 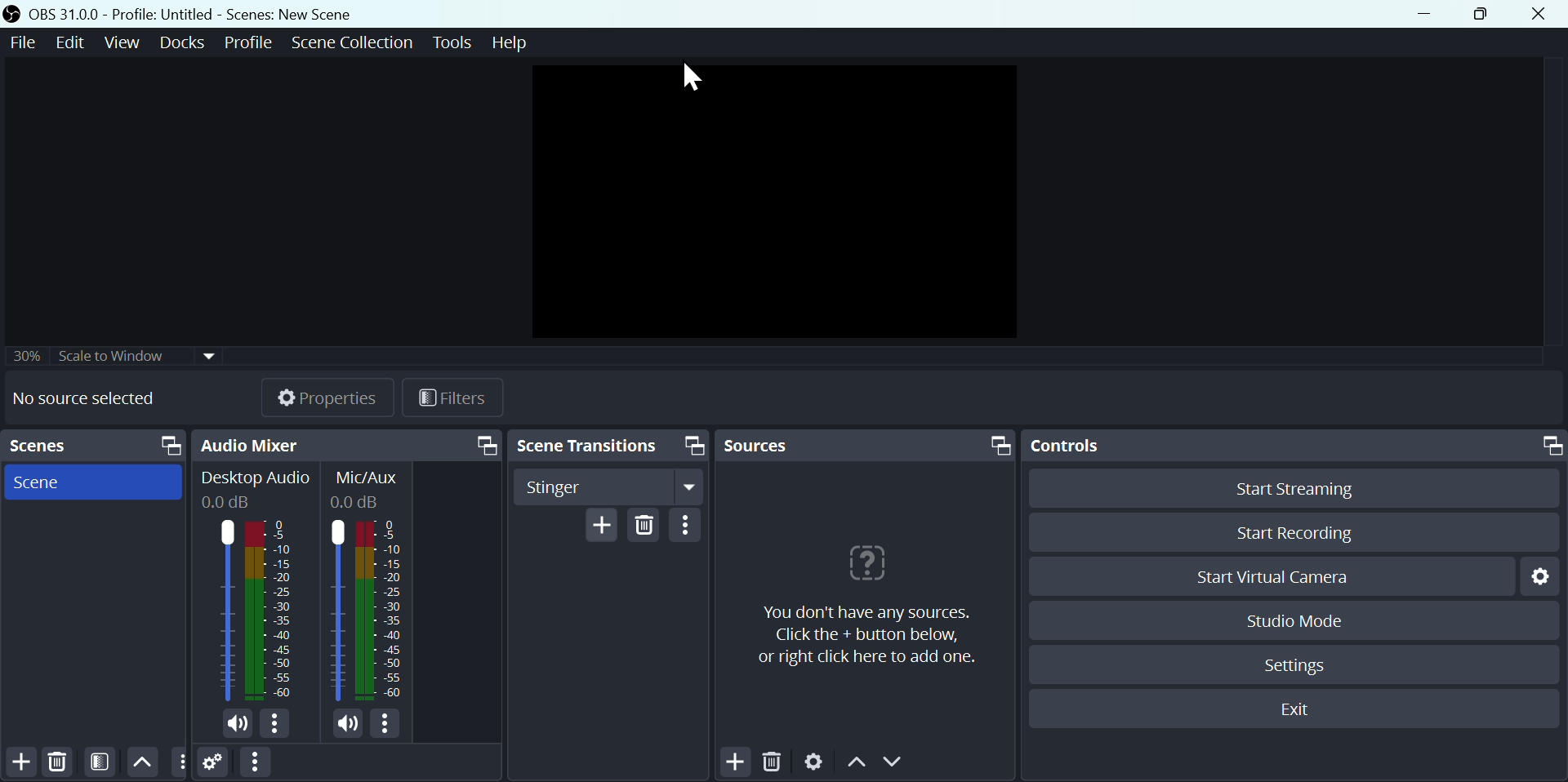 I want to click on Up, so click(x=143, y=761).